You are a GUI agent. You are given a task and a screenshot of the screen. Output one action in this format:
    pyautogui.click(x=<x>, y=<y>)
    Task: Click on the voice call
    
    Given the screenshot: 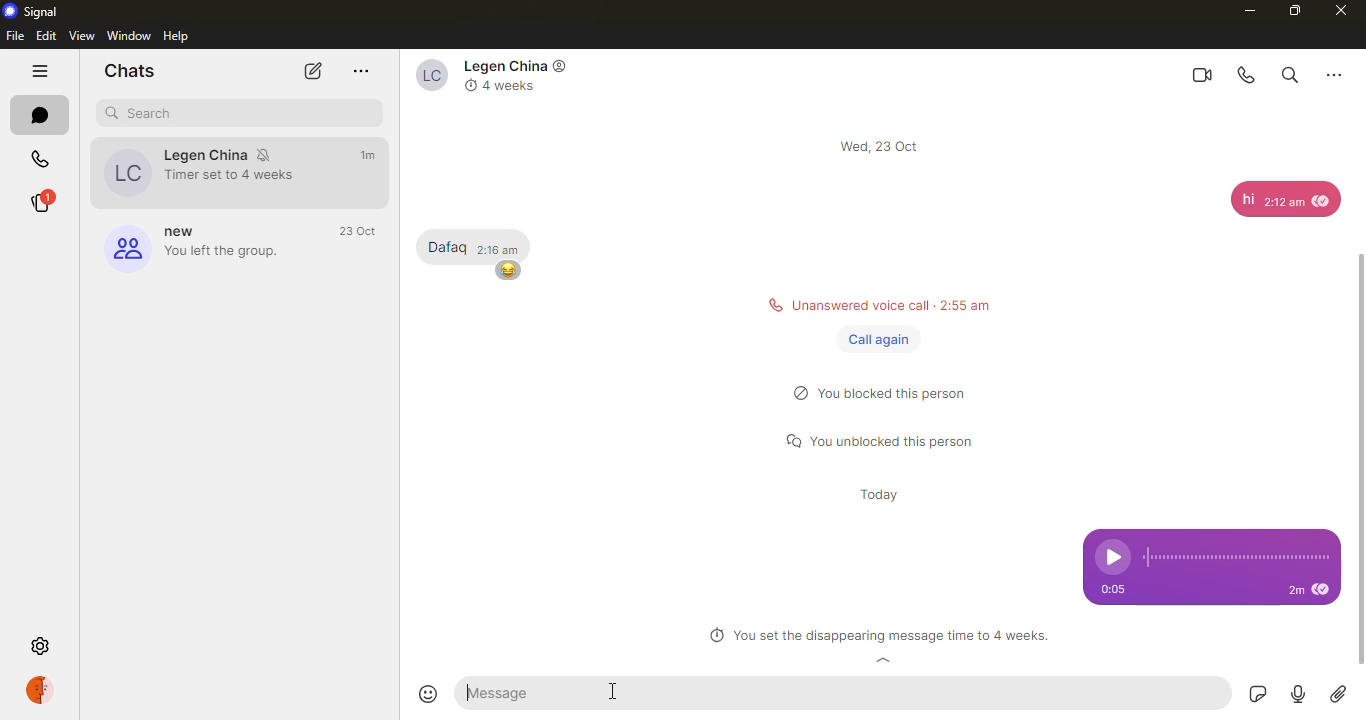 What is the action you would take?
    pyautogui.click(x=1248, y=75)
    